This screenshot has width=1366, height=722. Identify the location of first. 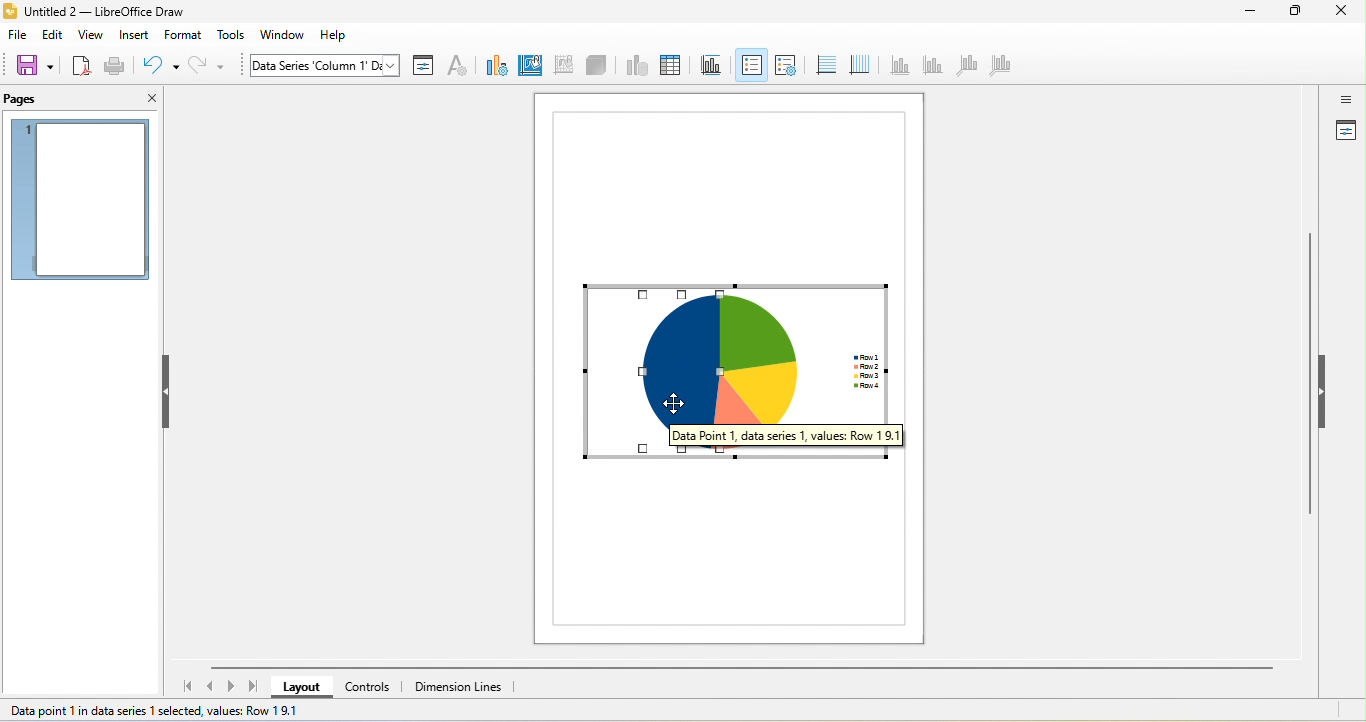
(184, 687).